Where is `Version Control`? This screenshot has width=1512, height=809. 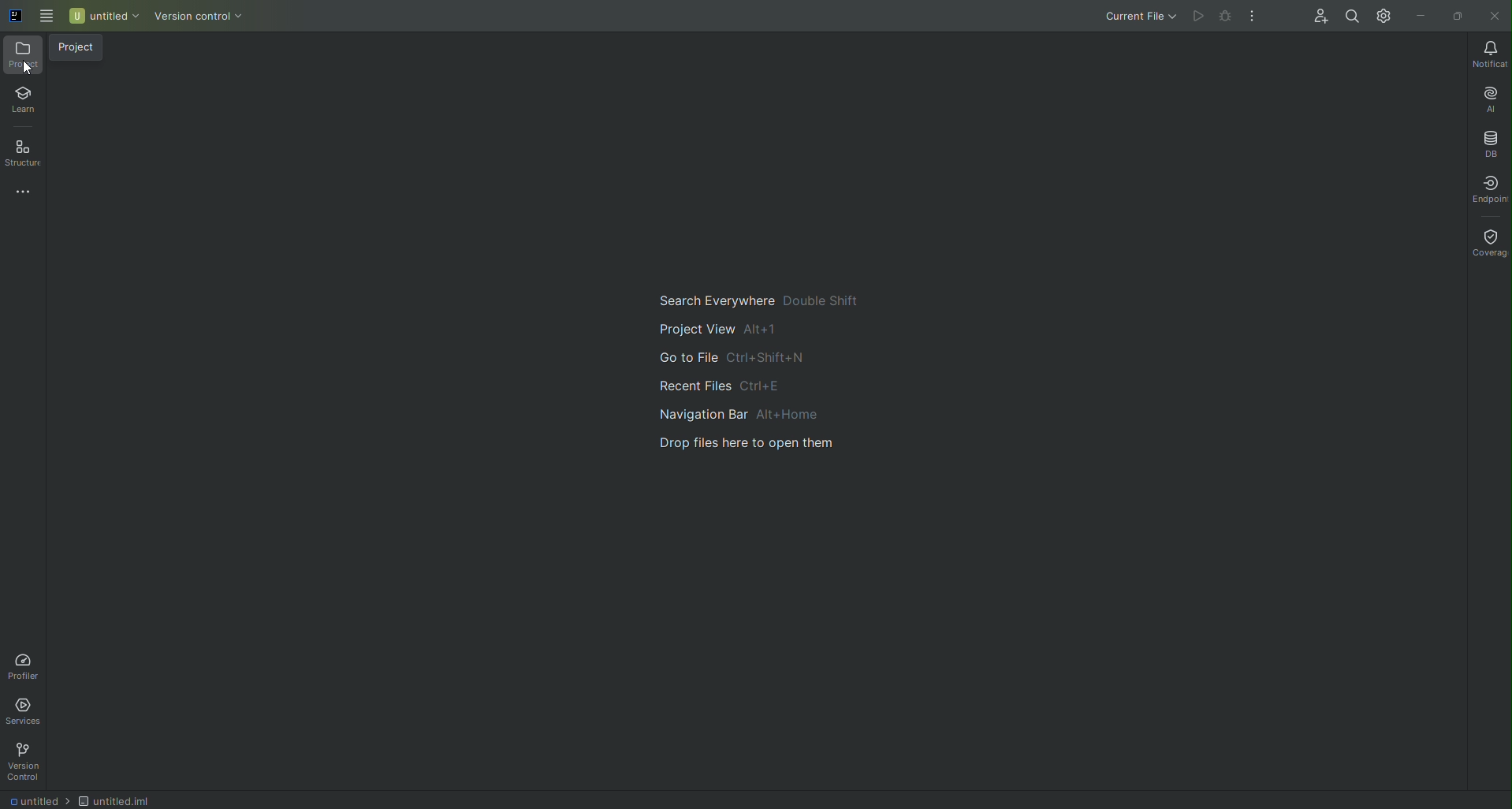 Version Control is located at coordinates (199, 17).